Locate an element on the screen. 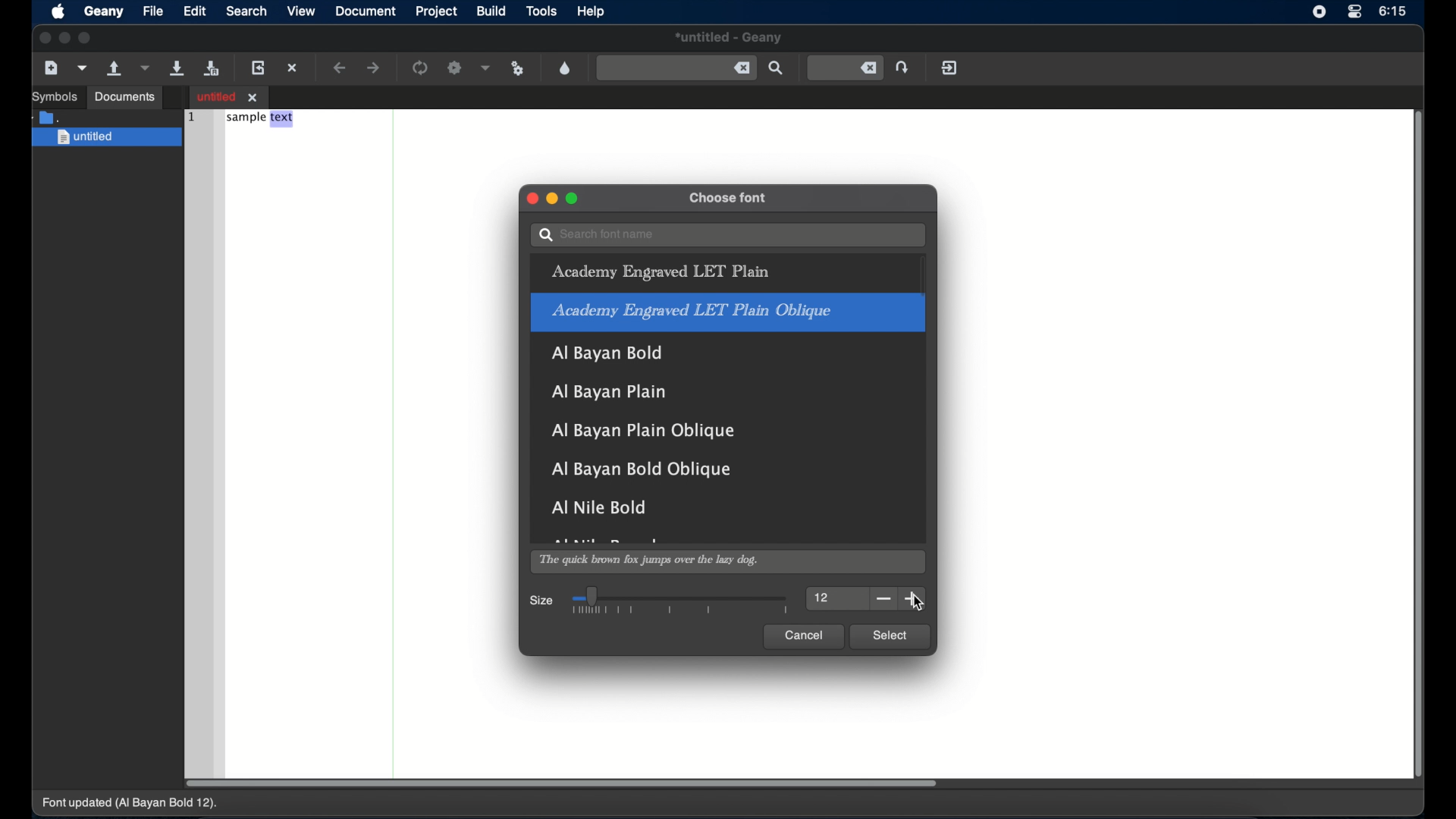  untitled is located at coordinates (729, 39).